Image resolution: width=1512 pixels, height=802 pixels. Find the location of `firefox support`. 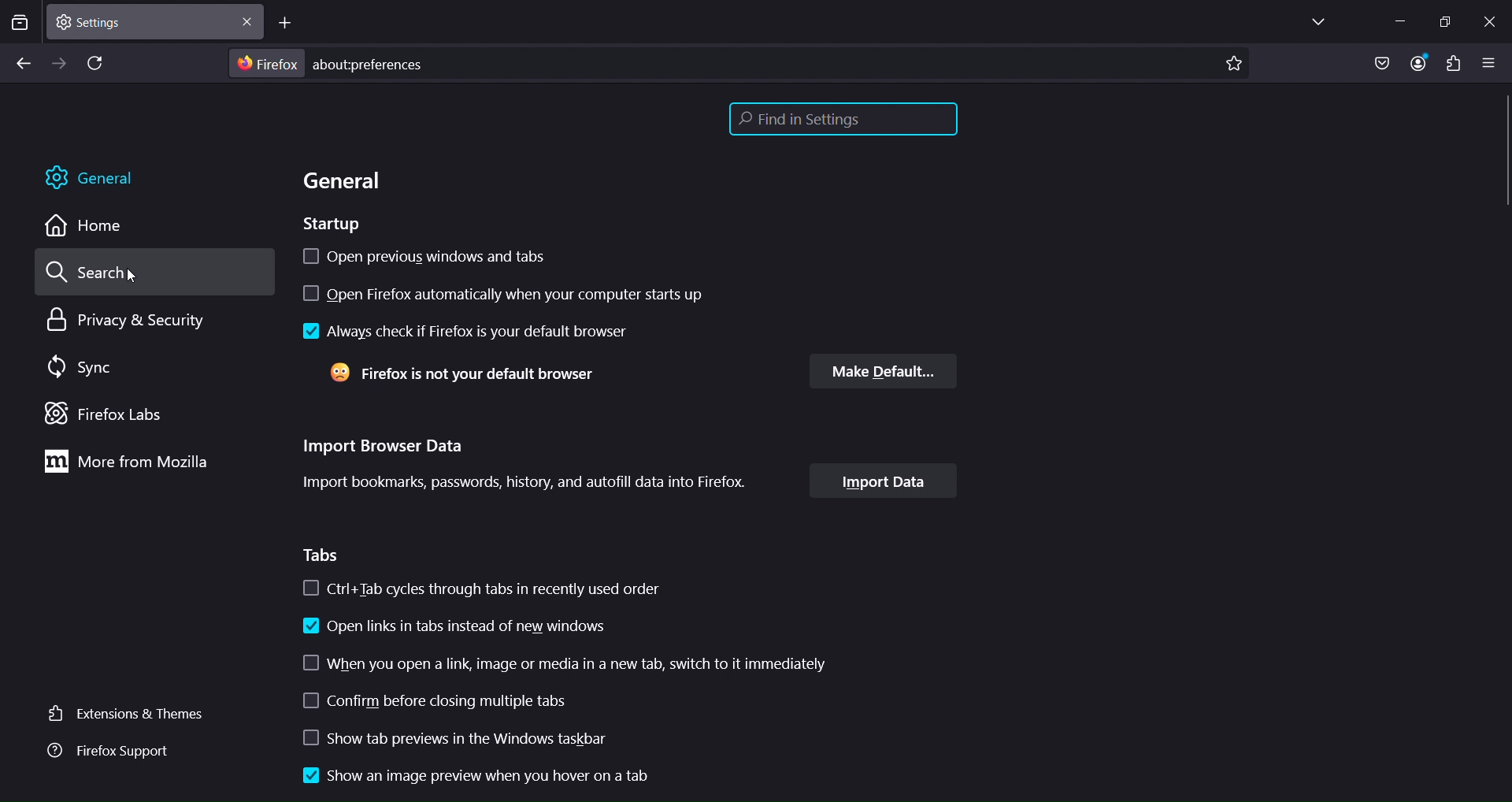

firefox support is located at coordinates (117, 751).